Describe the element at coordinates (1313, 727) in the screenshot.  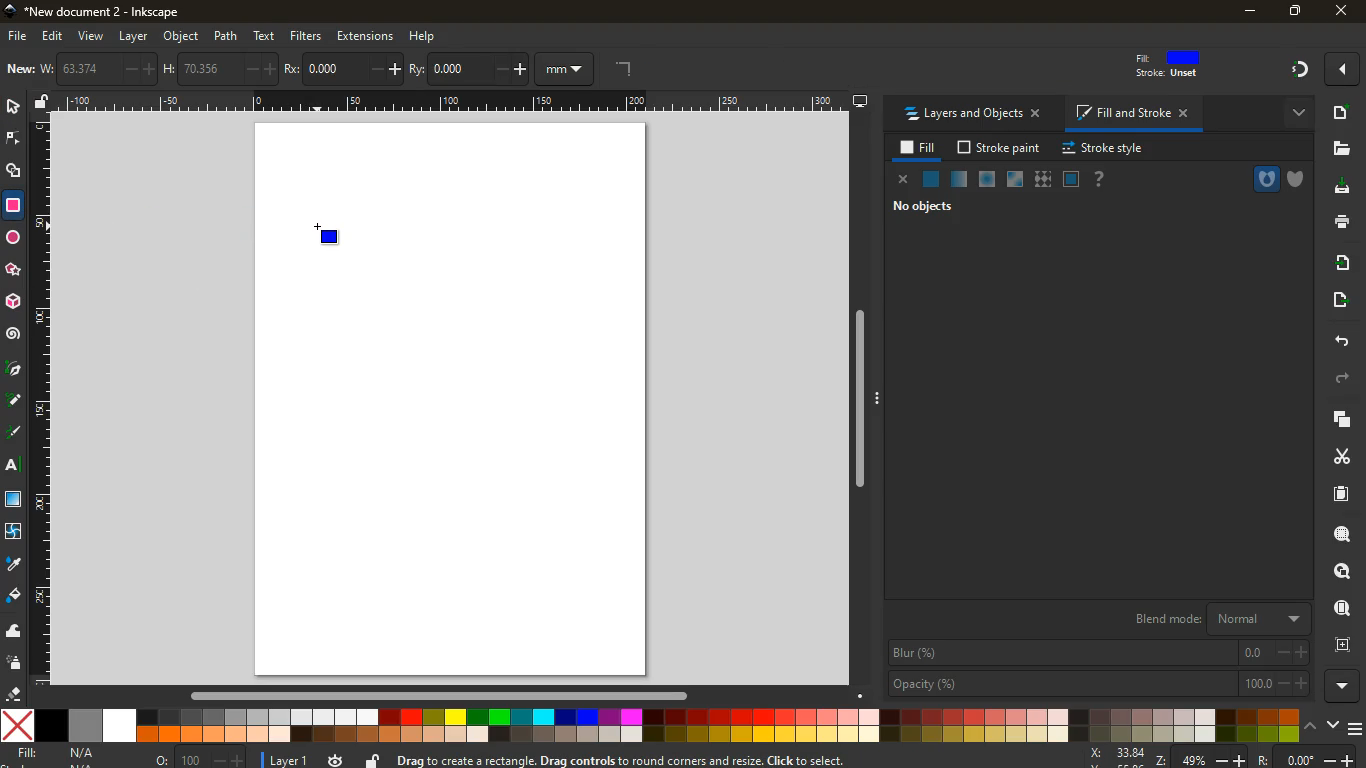
I see `up` at that location.